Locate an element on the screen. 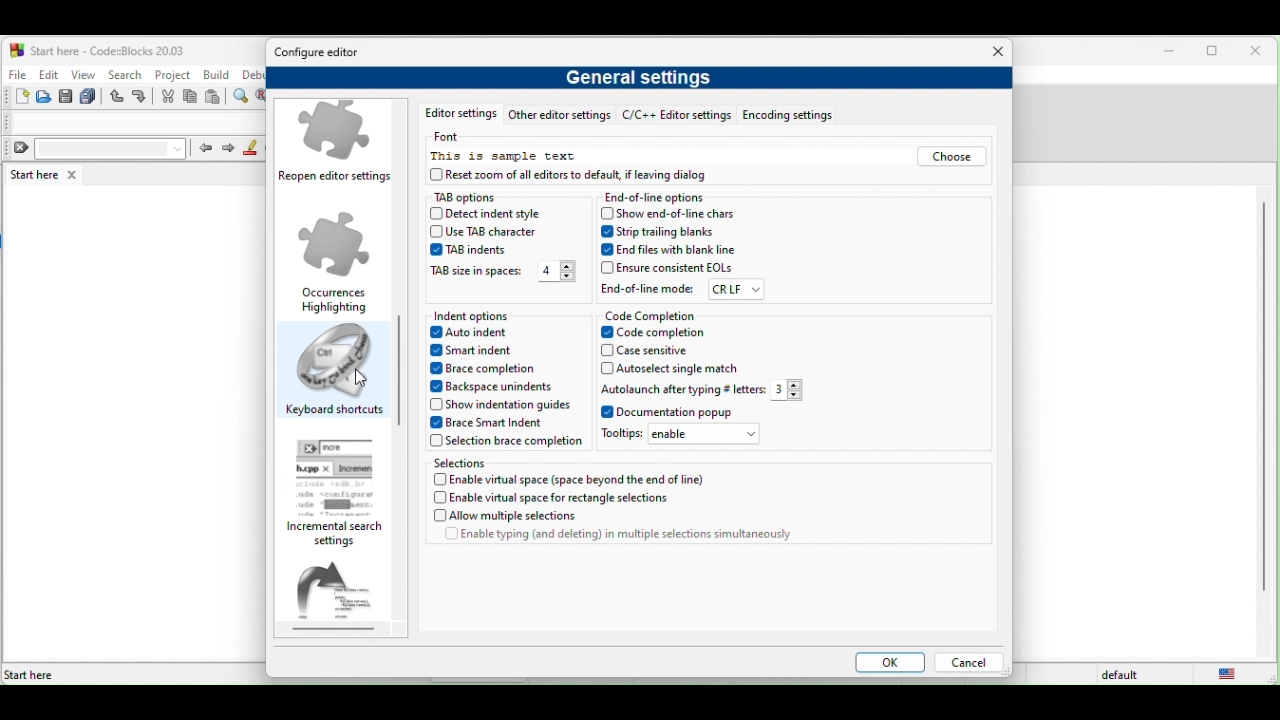 The height and width of the screenshot is (720, 1280). code completion is located at coordinates (670, 333).